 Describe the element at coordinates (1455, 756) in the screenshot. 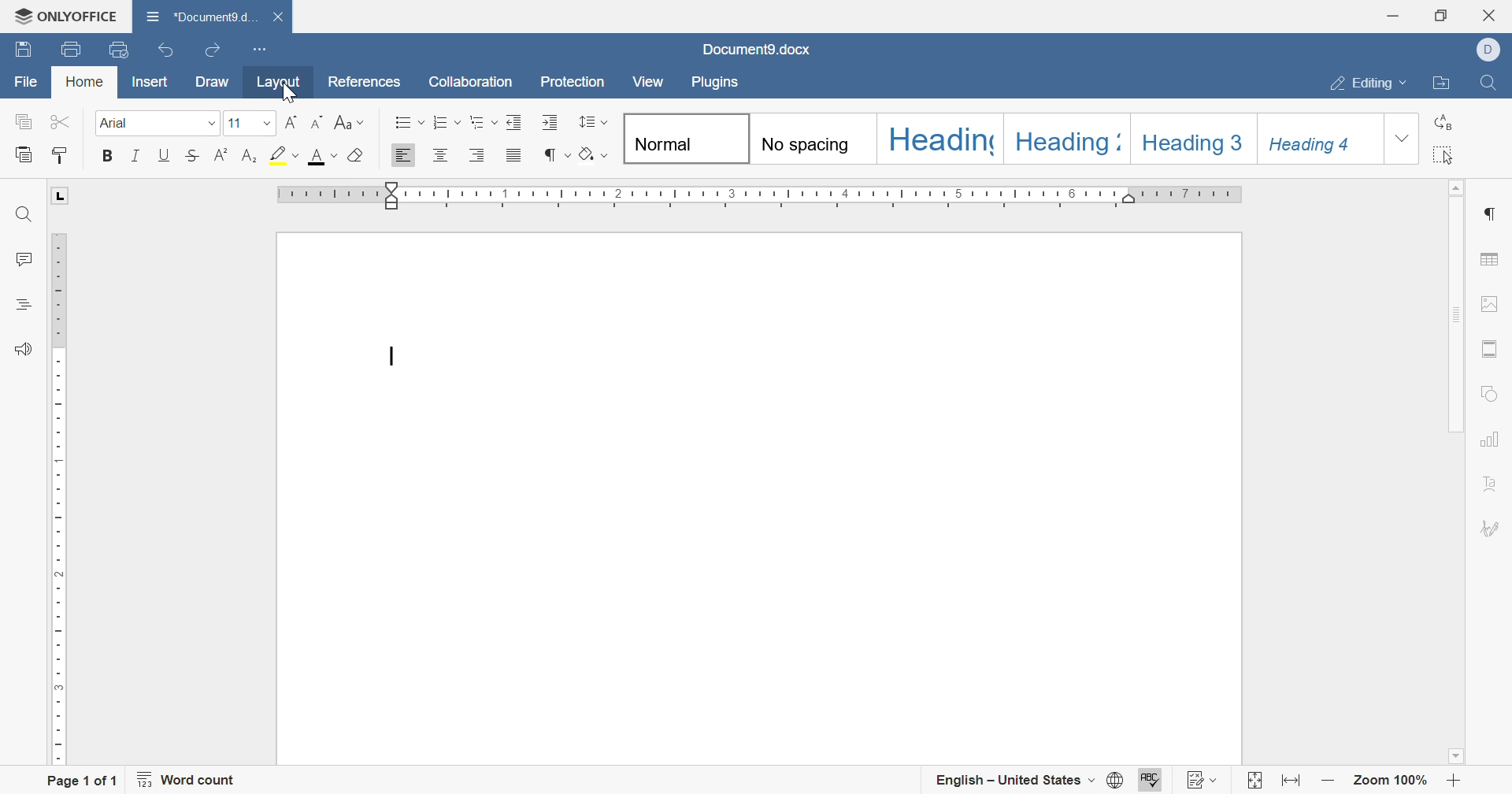

I see `scroll down` at that location.